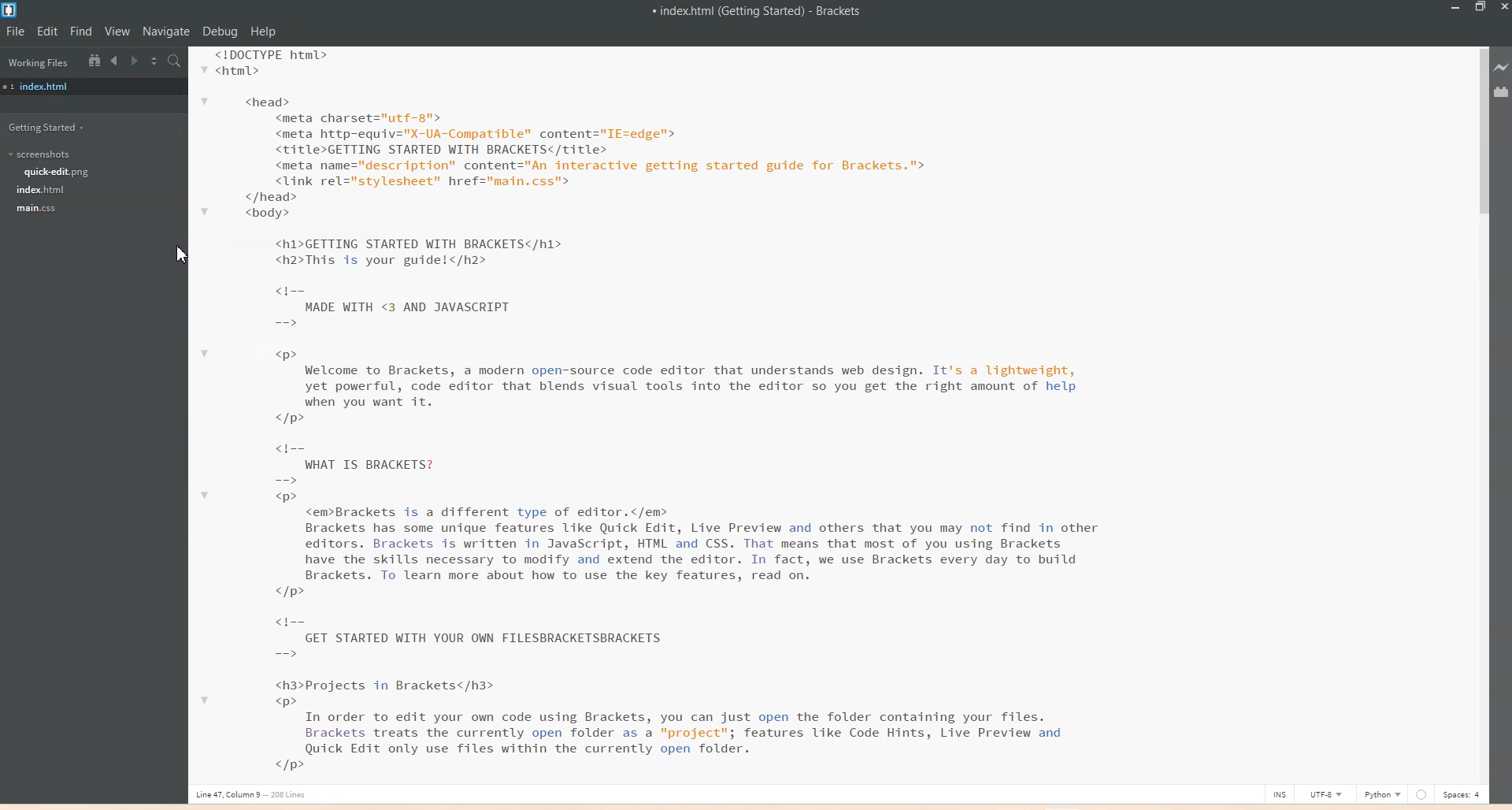 This screenshot has height=810, width=1512. What do you see at coordinates (1482, 411) in the screenshot?
I see `Vertical Scroll bar` at bounding box center [1482, 411].